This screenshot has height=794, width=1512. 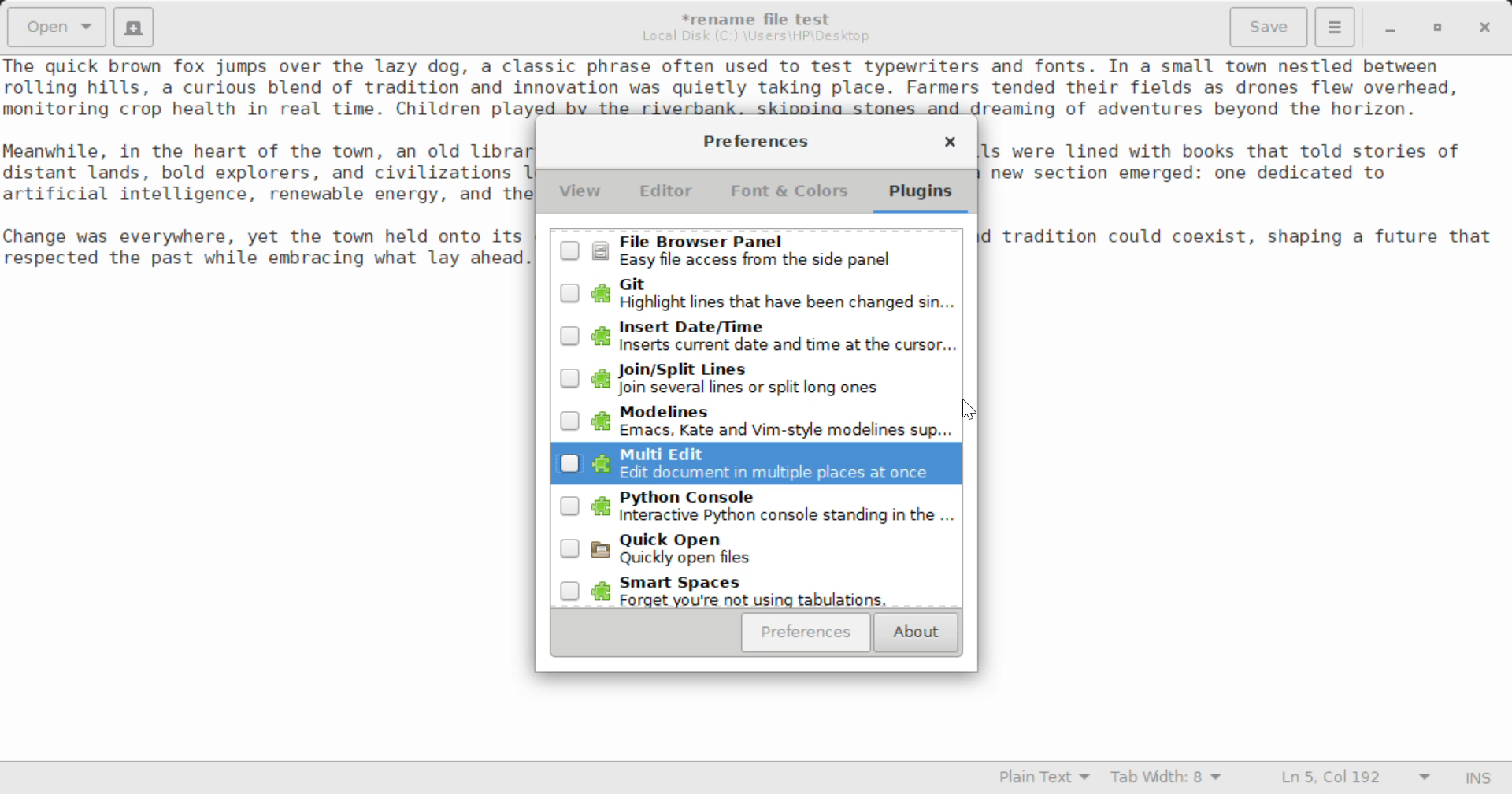 What do you see at coordinates (913, 633) in the screenshot?
I see `About` at bounding box center [913, 633].